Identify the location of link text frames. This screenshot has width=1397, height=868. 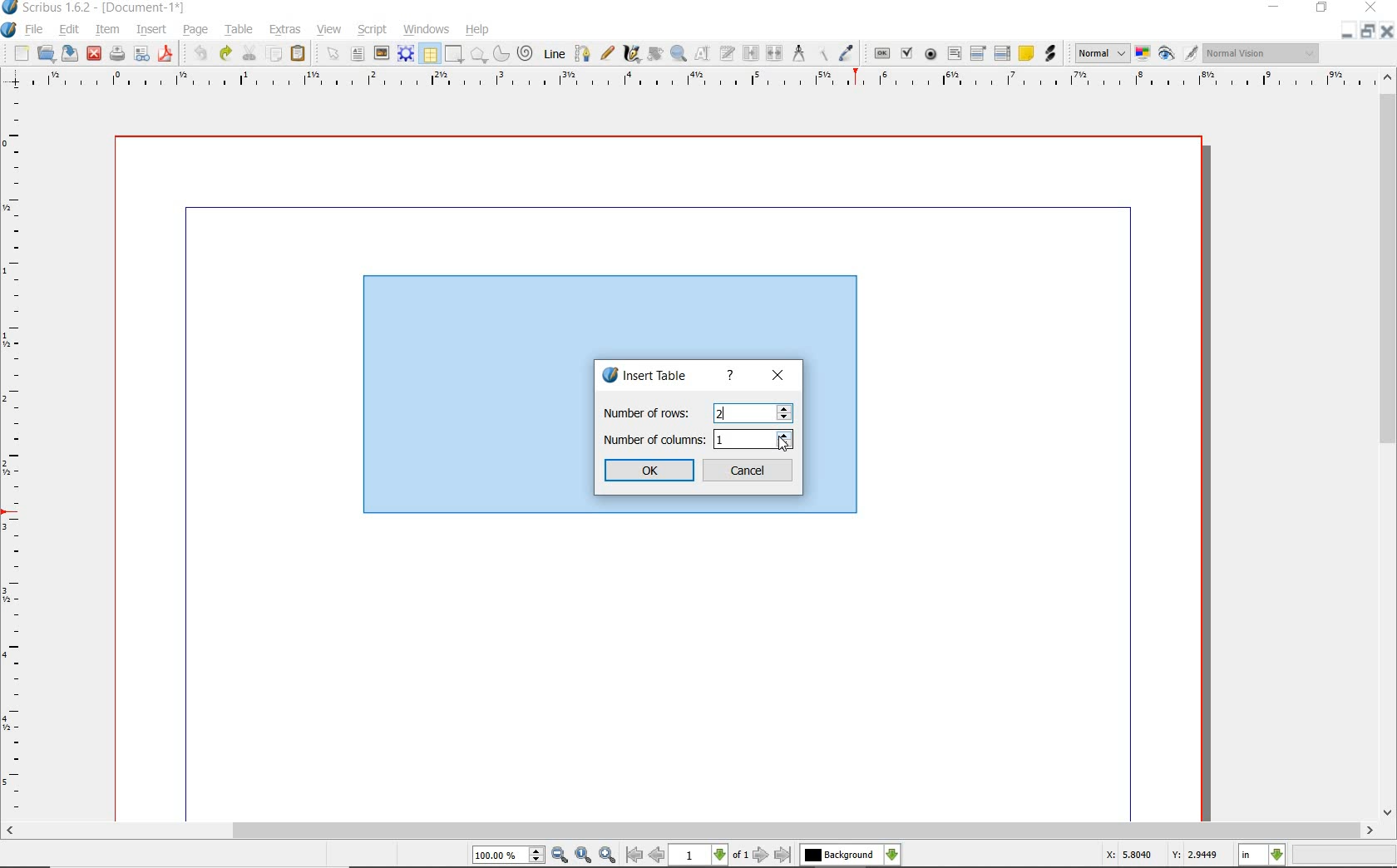
(752, 53).